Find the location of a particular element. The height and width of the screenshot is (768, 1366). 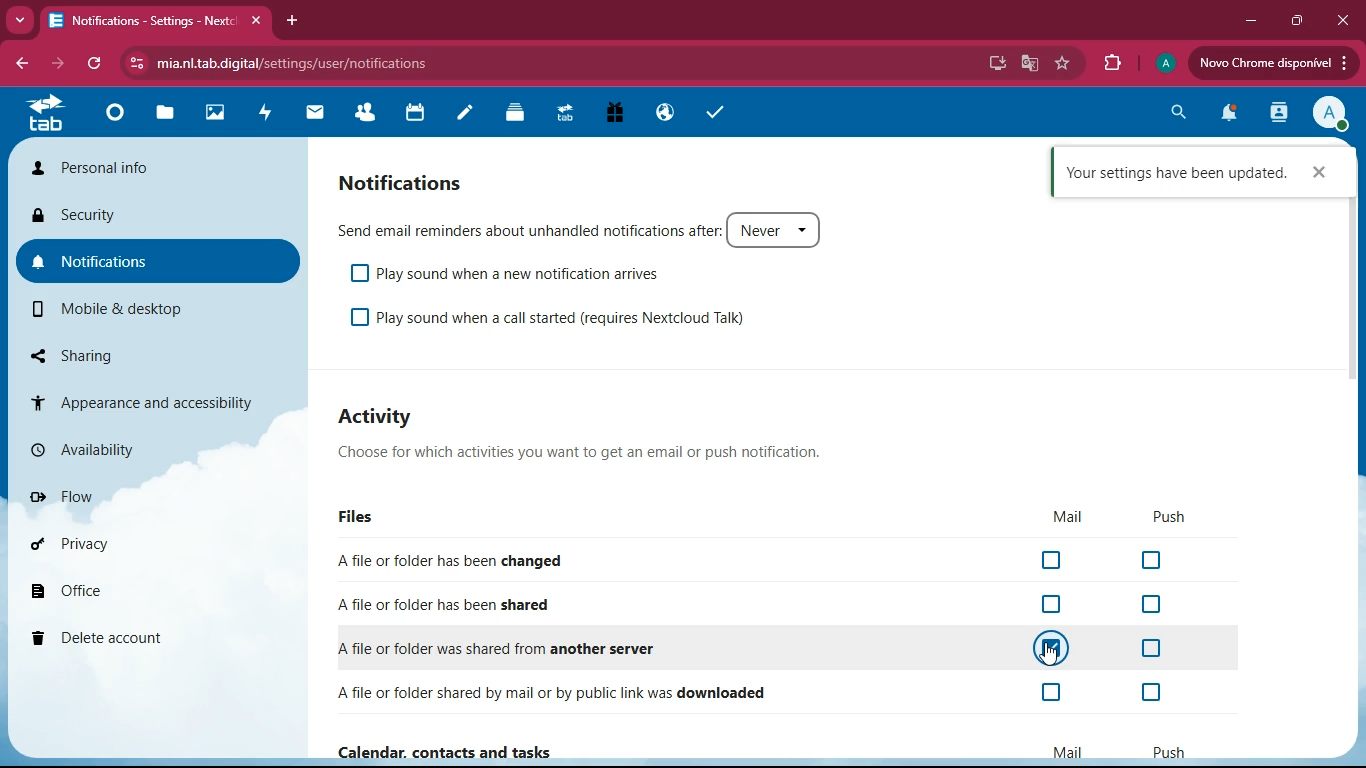

friends is located at coordinates (359, 113).